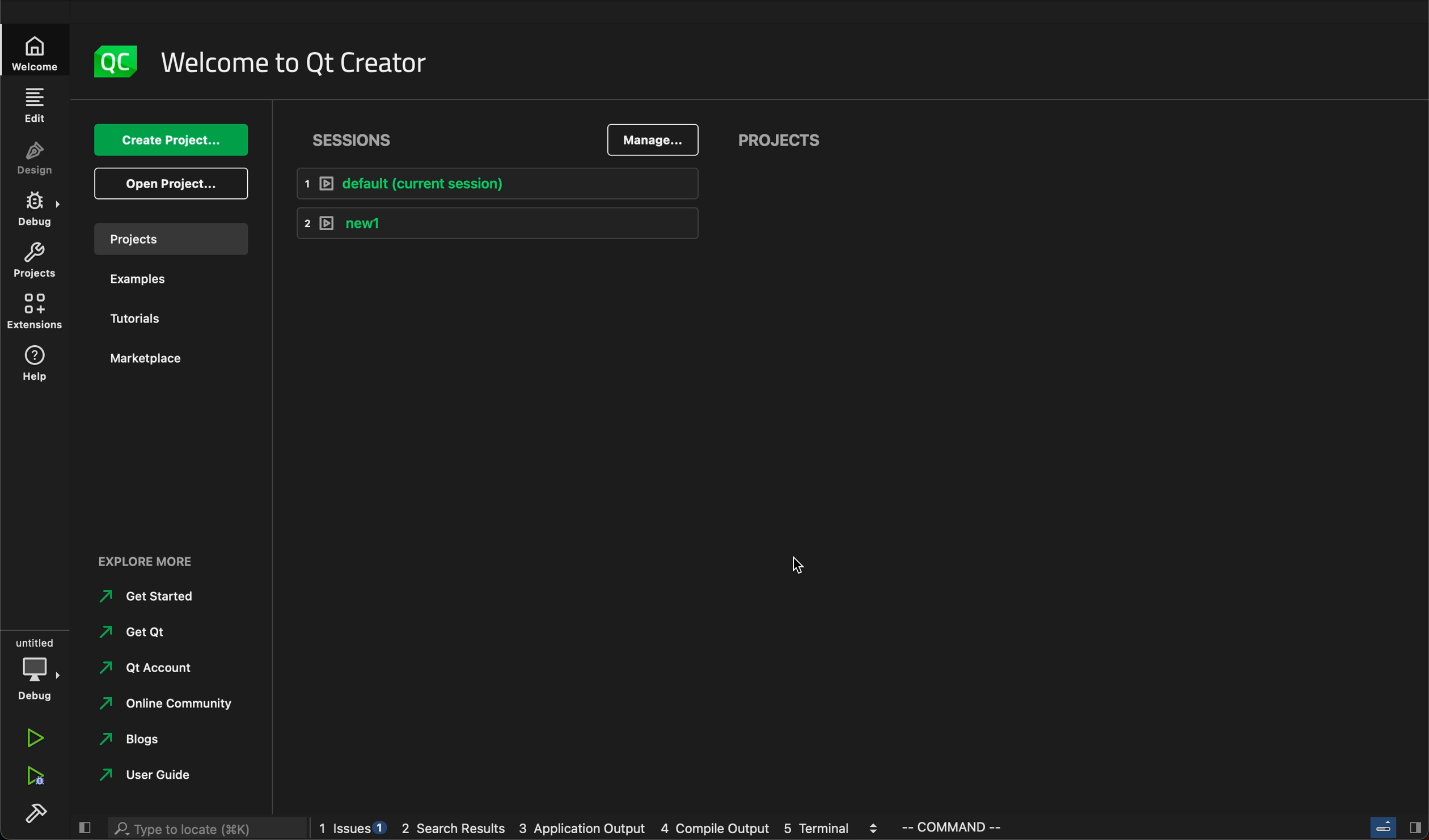 The width and height of the screenshot is (1429, 840). What do you see at coordinates (36, 56) in the screenshot?
I see `WELCOME` at bounding box center [36, 56].